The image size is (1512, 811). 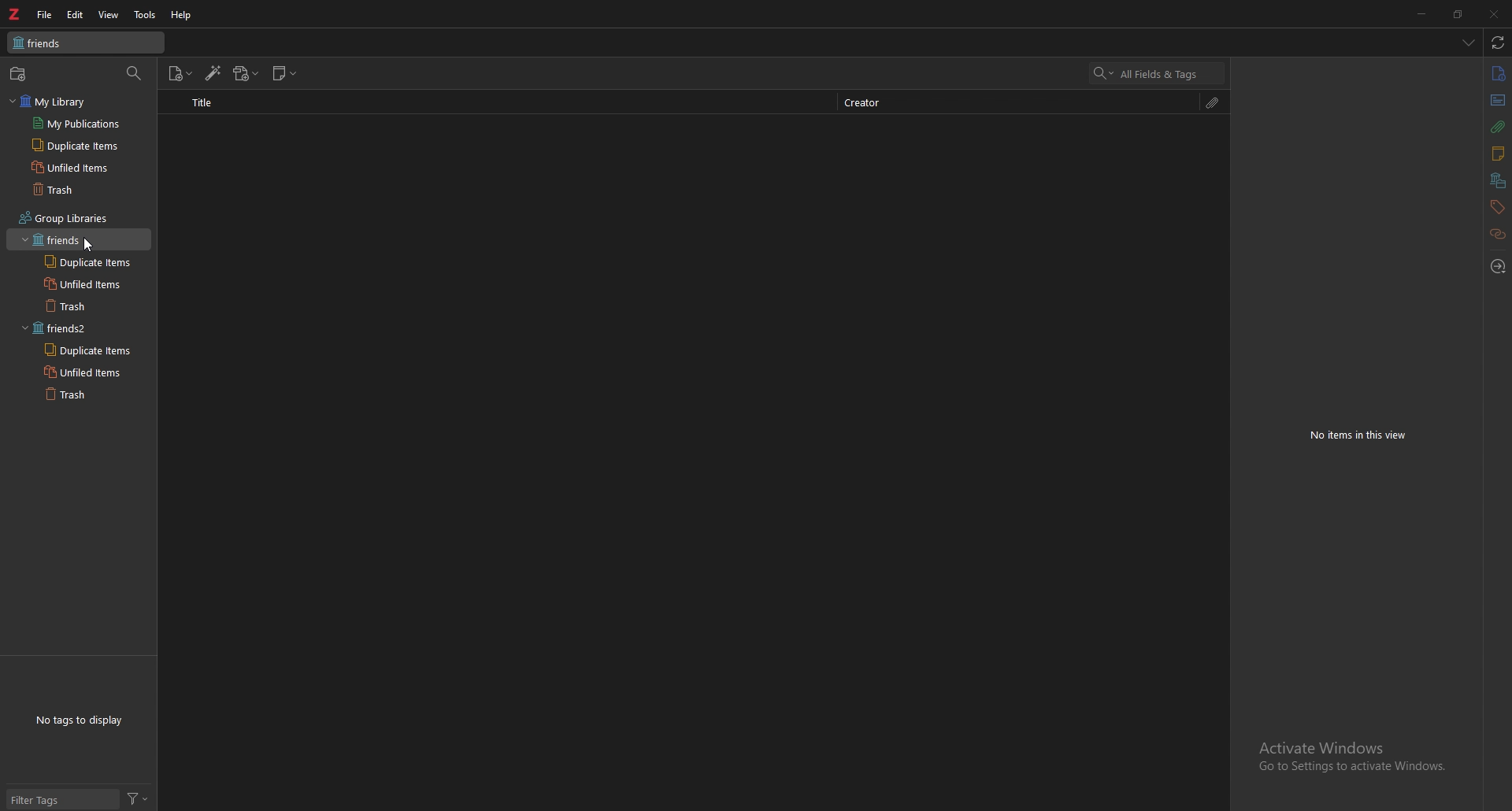 What do you see at coordinates (134, 74) in the screenshot?
I see `filter items` at bounding box center [134, 74].